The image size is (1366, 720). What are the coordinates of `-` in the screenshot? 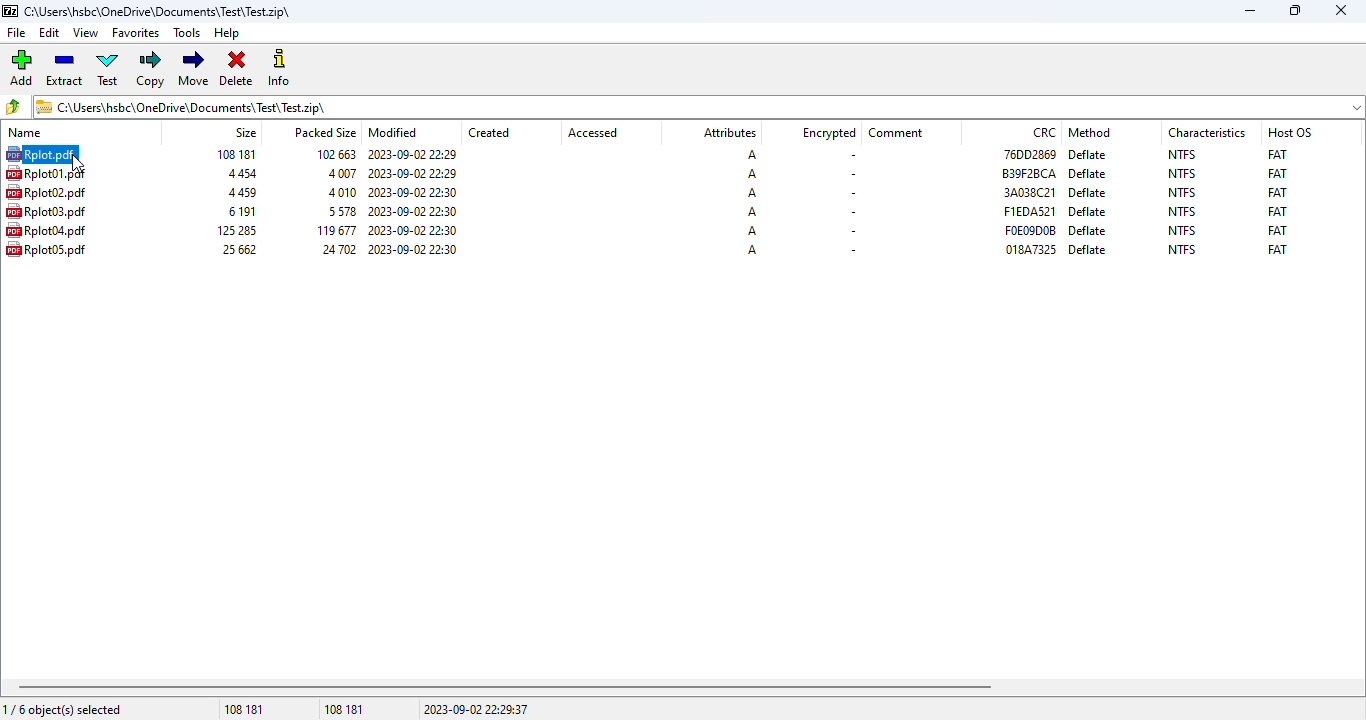 It's located at (851, 251).